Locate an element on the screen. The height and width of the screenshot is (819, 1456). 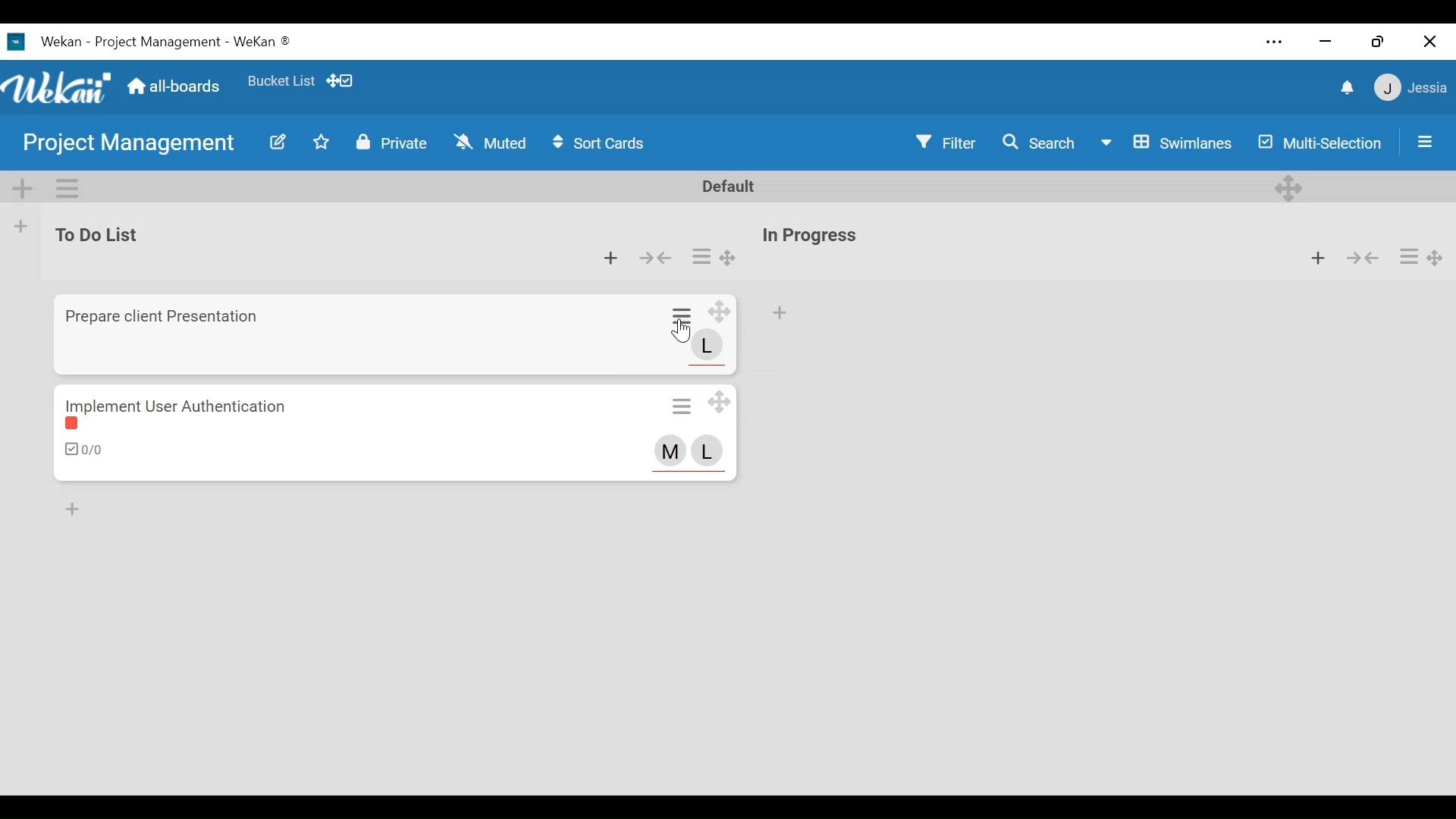
Show desktop drag handles is located at coordinates (344, 80).